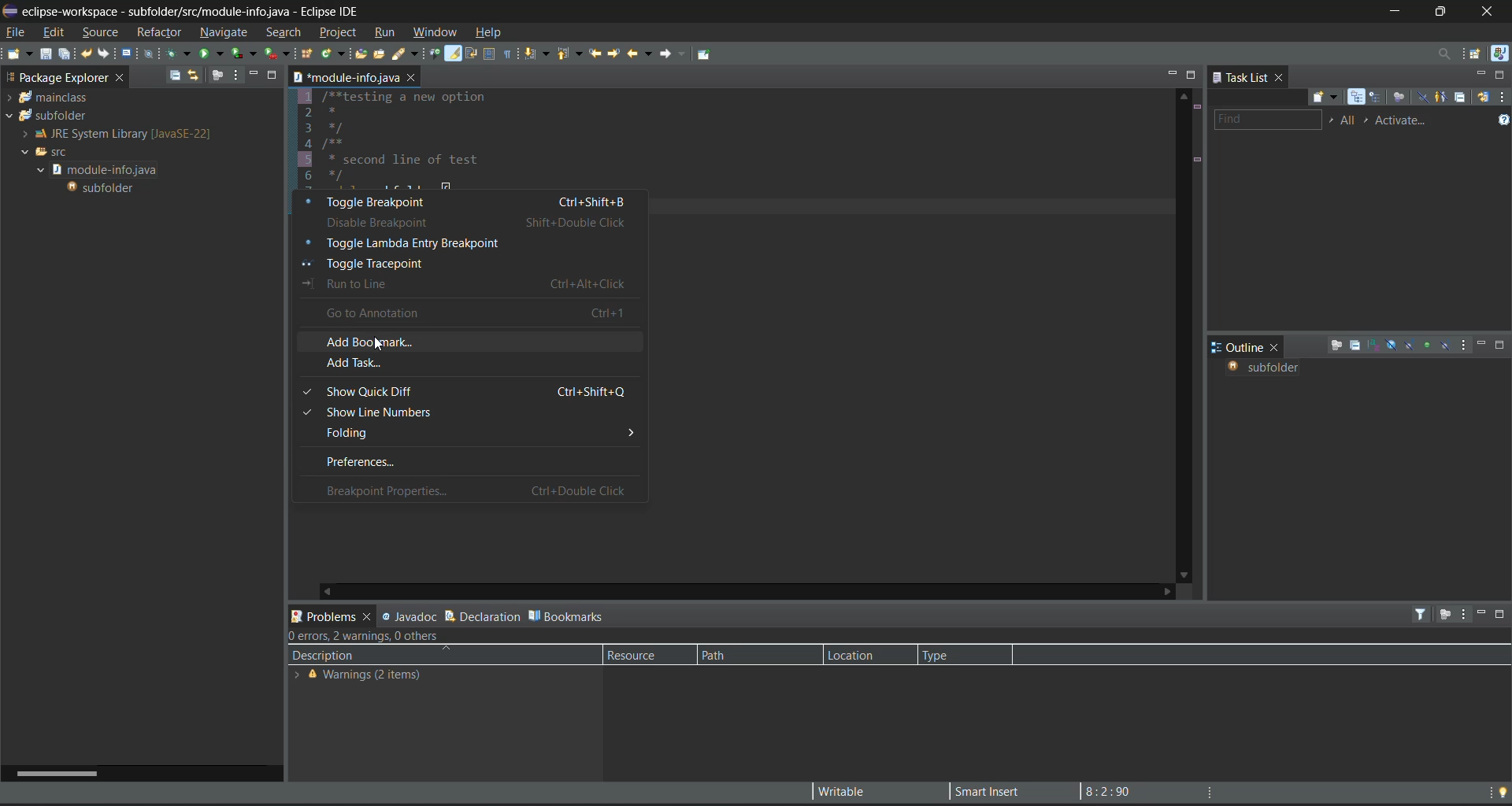 The width and height of the screenshot is (1512, 806). I want to click on forward, so click(669, 54).